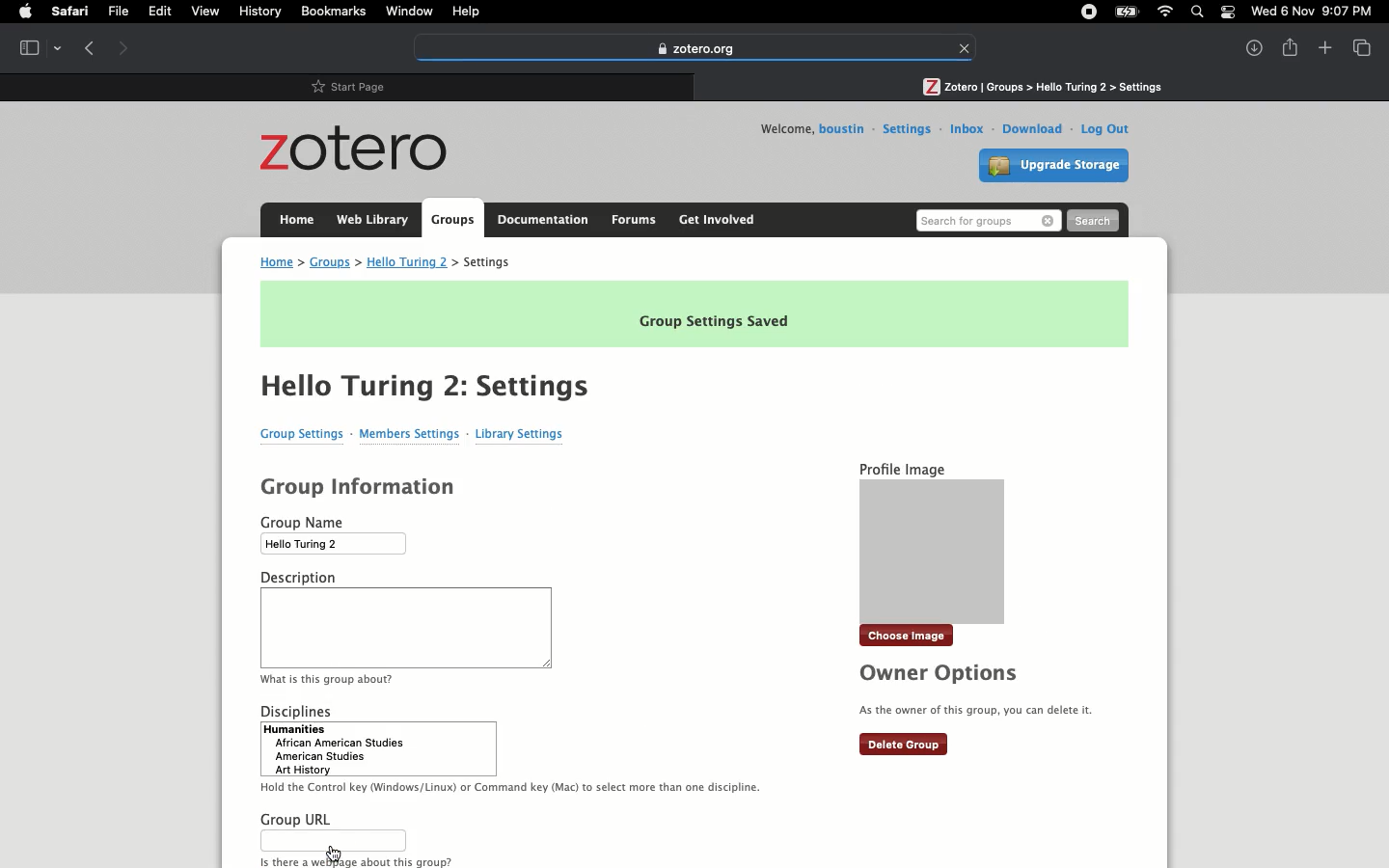 The height and width of the screenshot is (868, 1389). I want to click on Search, so click(1093, 222).